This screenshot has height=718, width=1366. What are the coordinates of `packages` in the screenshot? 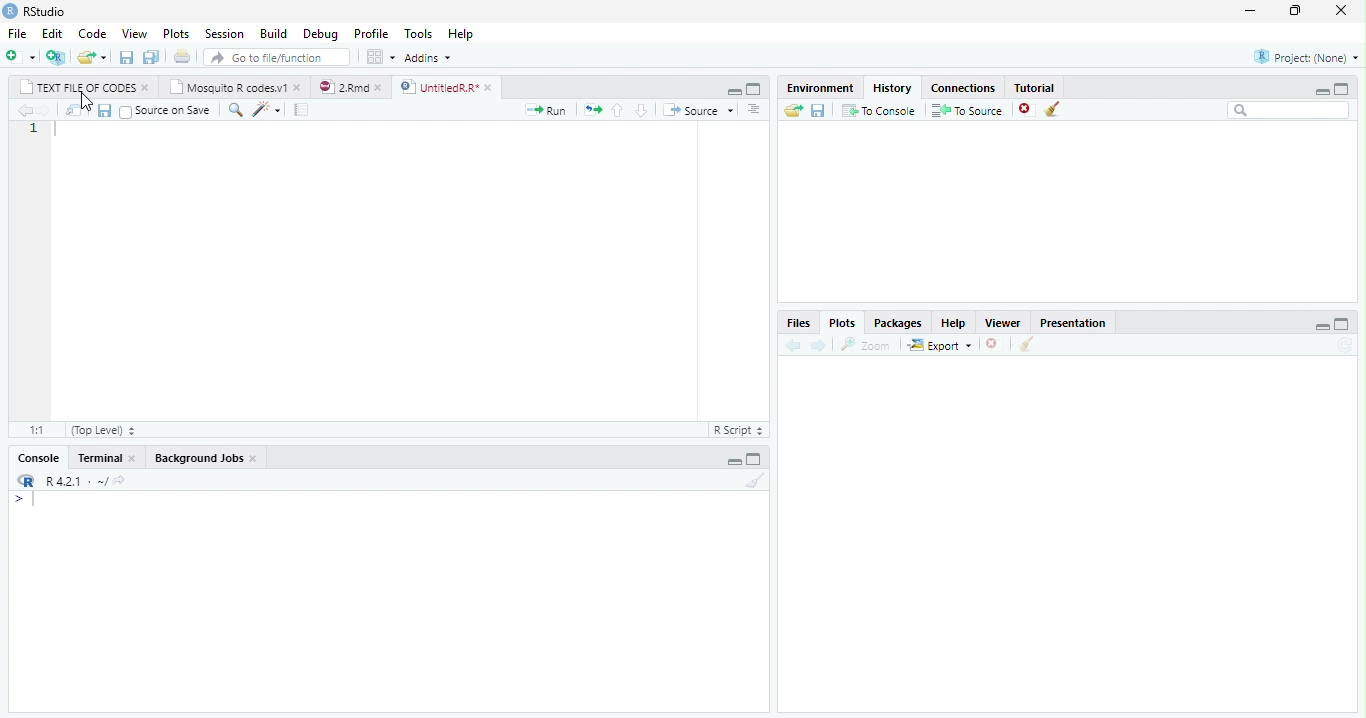 It's located at (898, 321).